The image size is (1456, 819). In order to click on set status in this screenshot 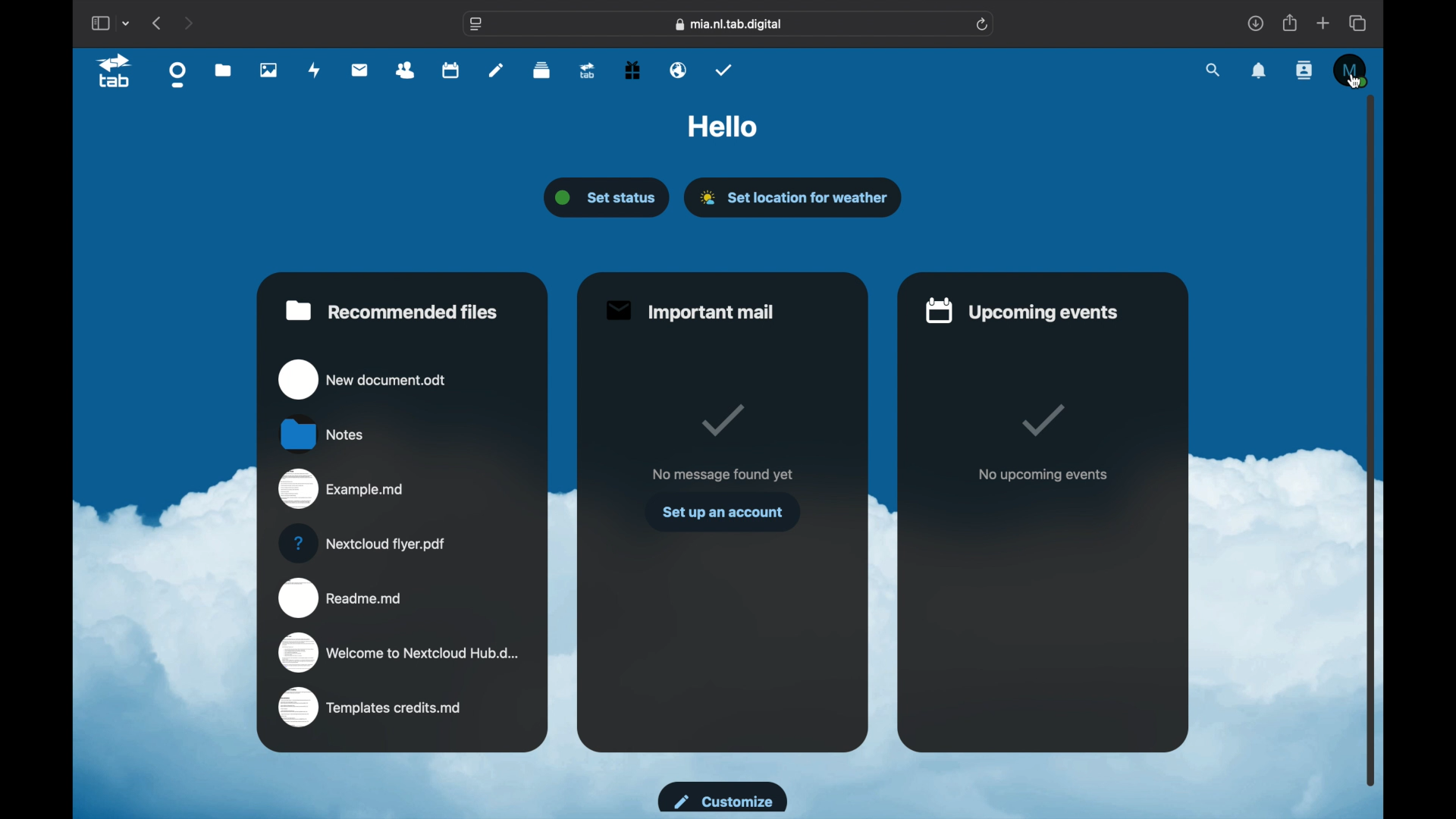, I will do `click(605, 196)`.